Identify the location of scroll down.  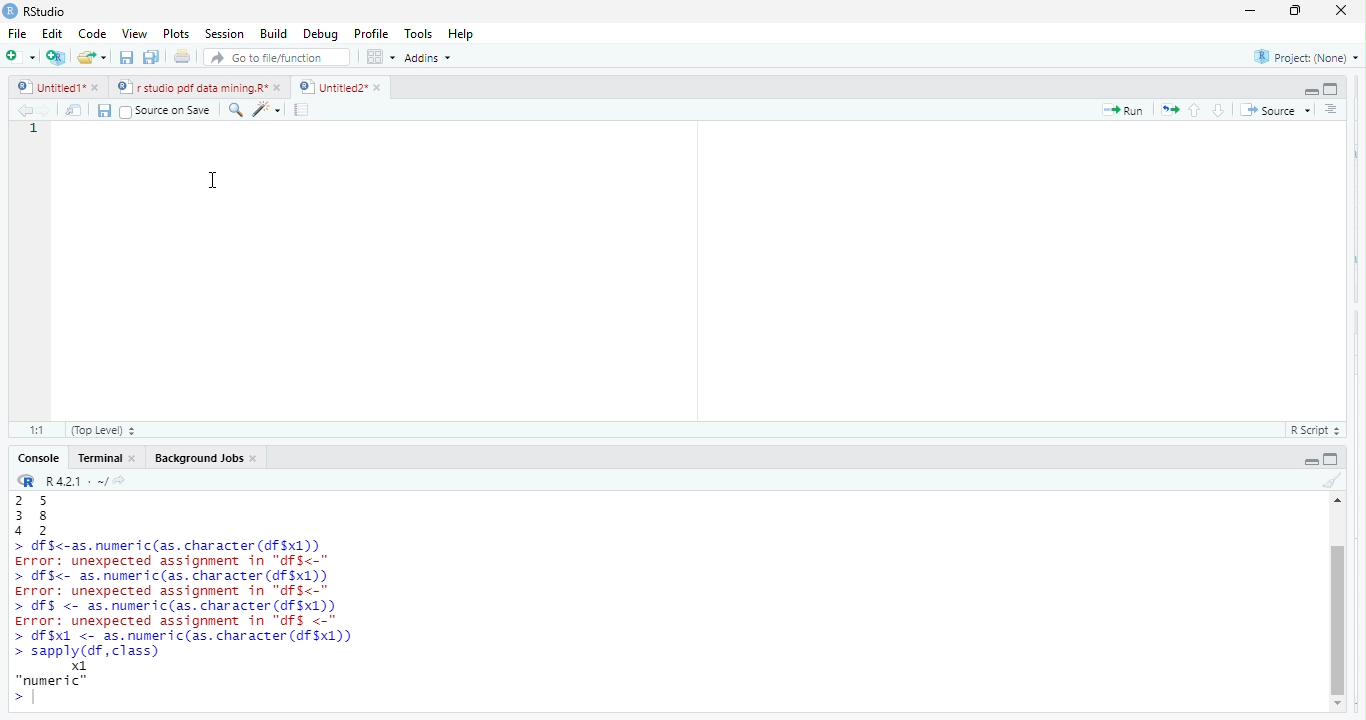
(1341, 703).